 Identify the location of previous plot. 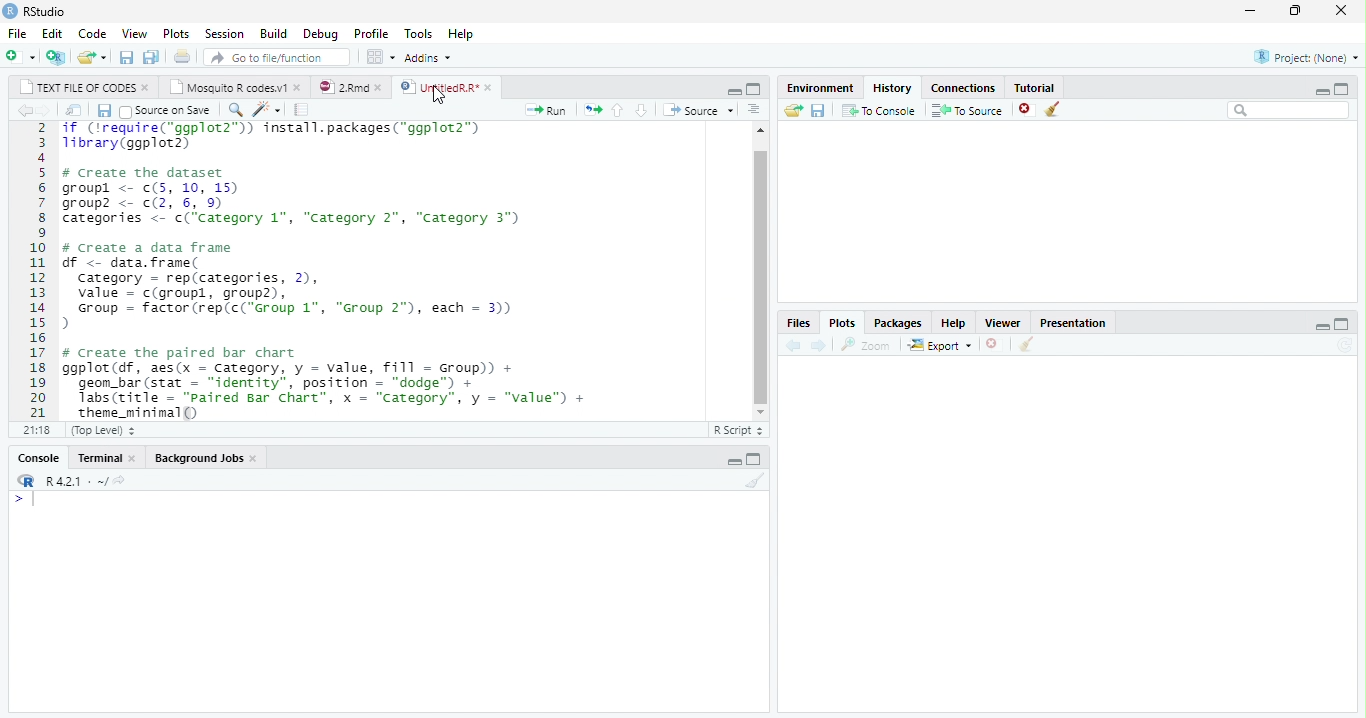
(793, 346).